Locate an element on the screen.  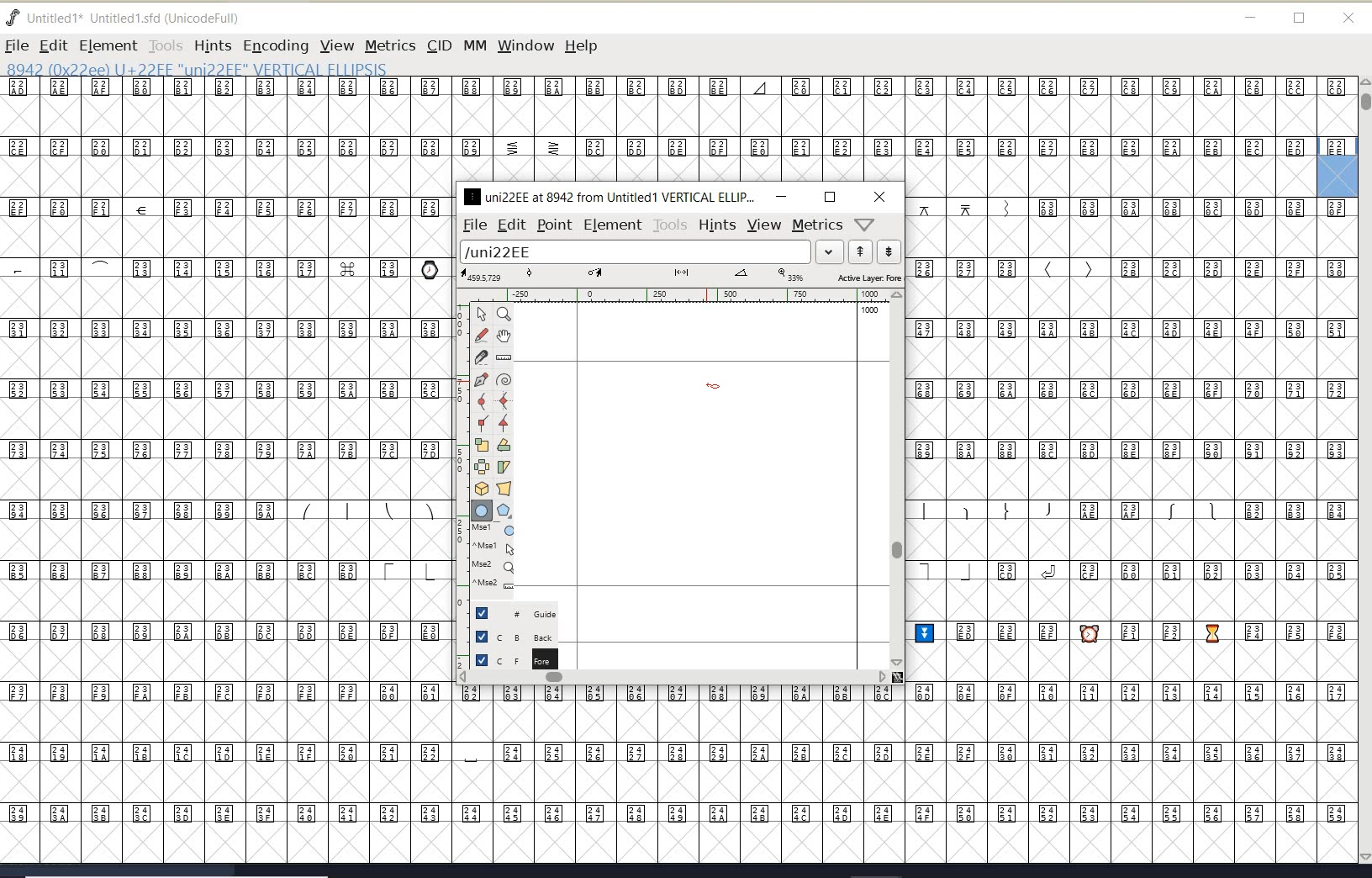
polygon or star is located at coordinates (504, 512).